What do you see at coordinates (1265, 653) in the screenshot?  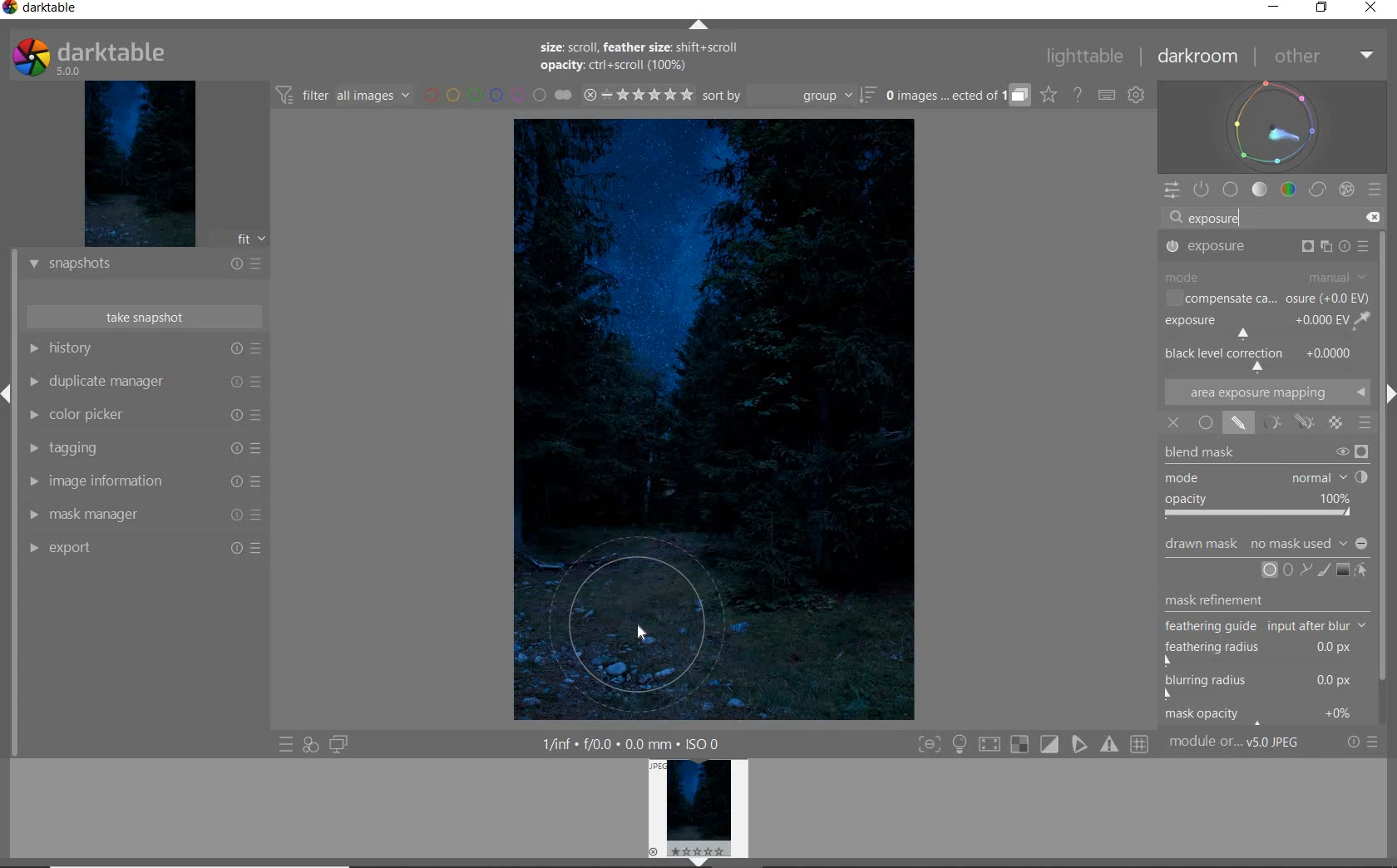 I see `feathering radius` at bounding box center [1265, 653].